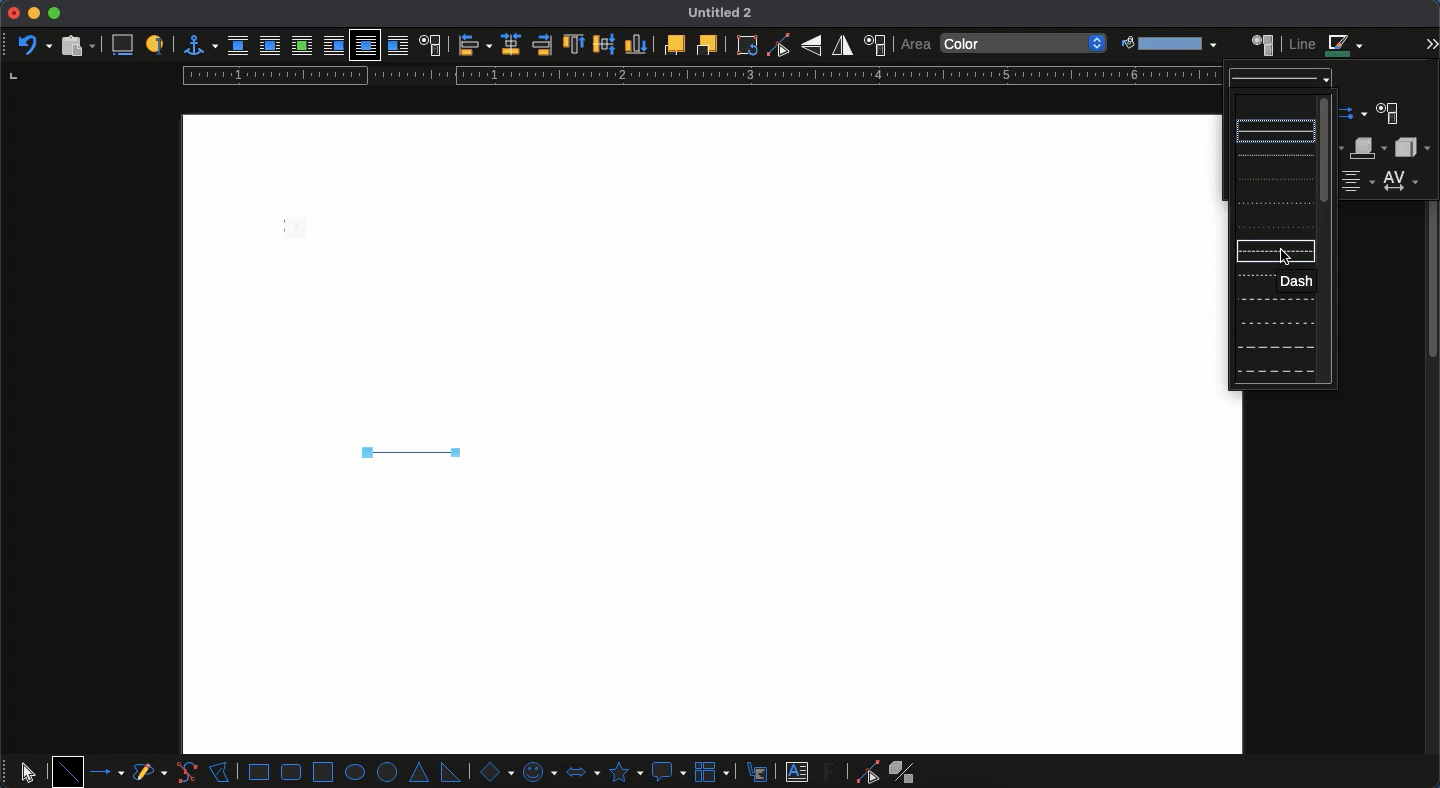  I want to click on curve, so click(186, 772).